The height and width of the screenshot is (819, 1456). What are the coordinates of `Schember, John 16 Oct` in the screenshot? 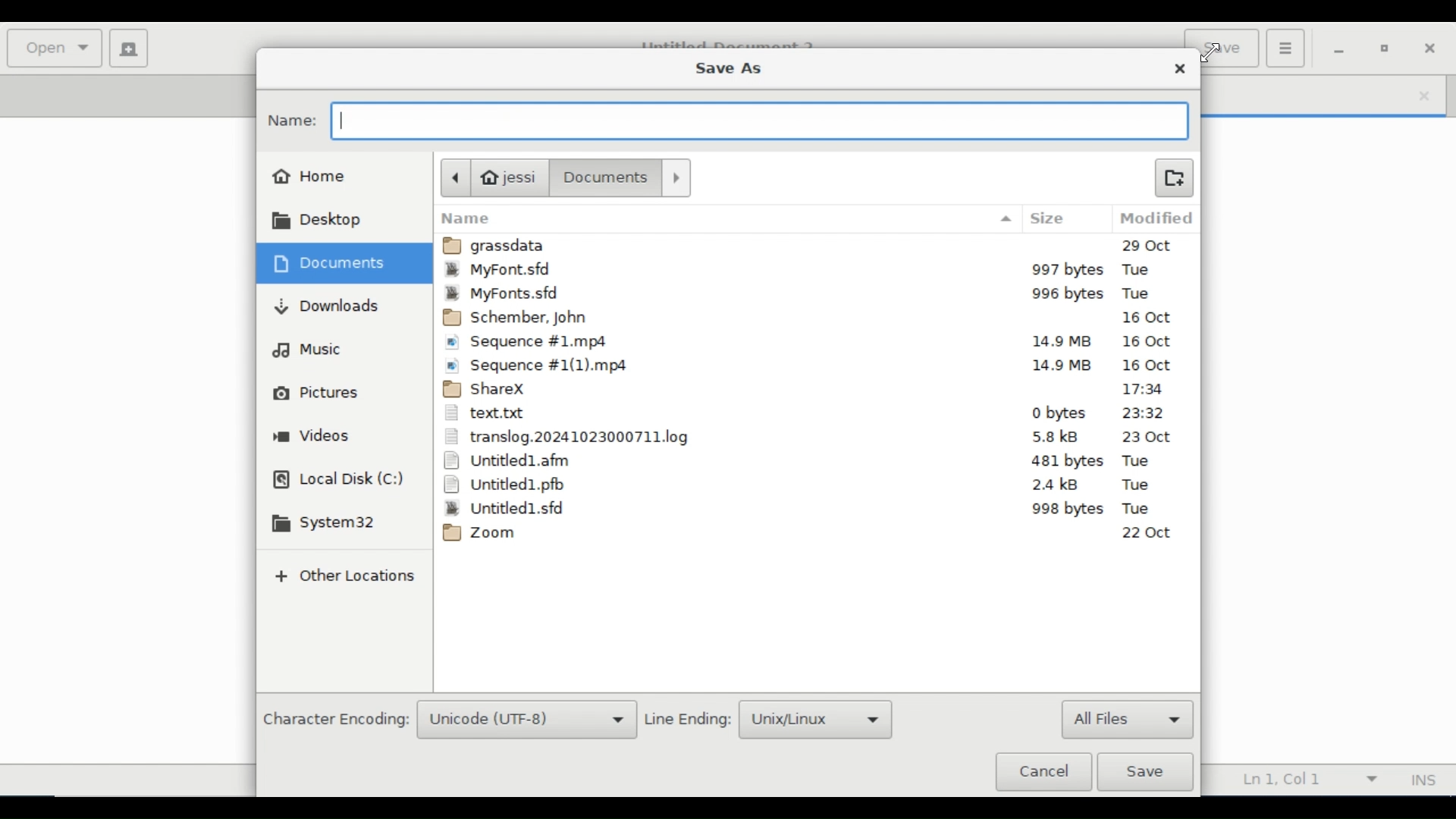 It's located at (813, 318).